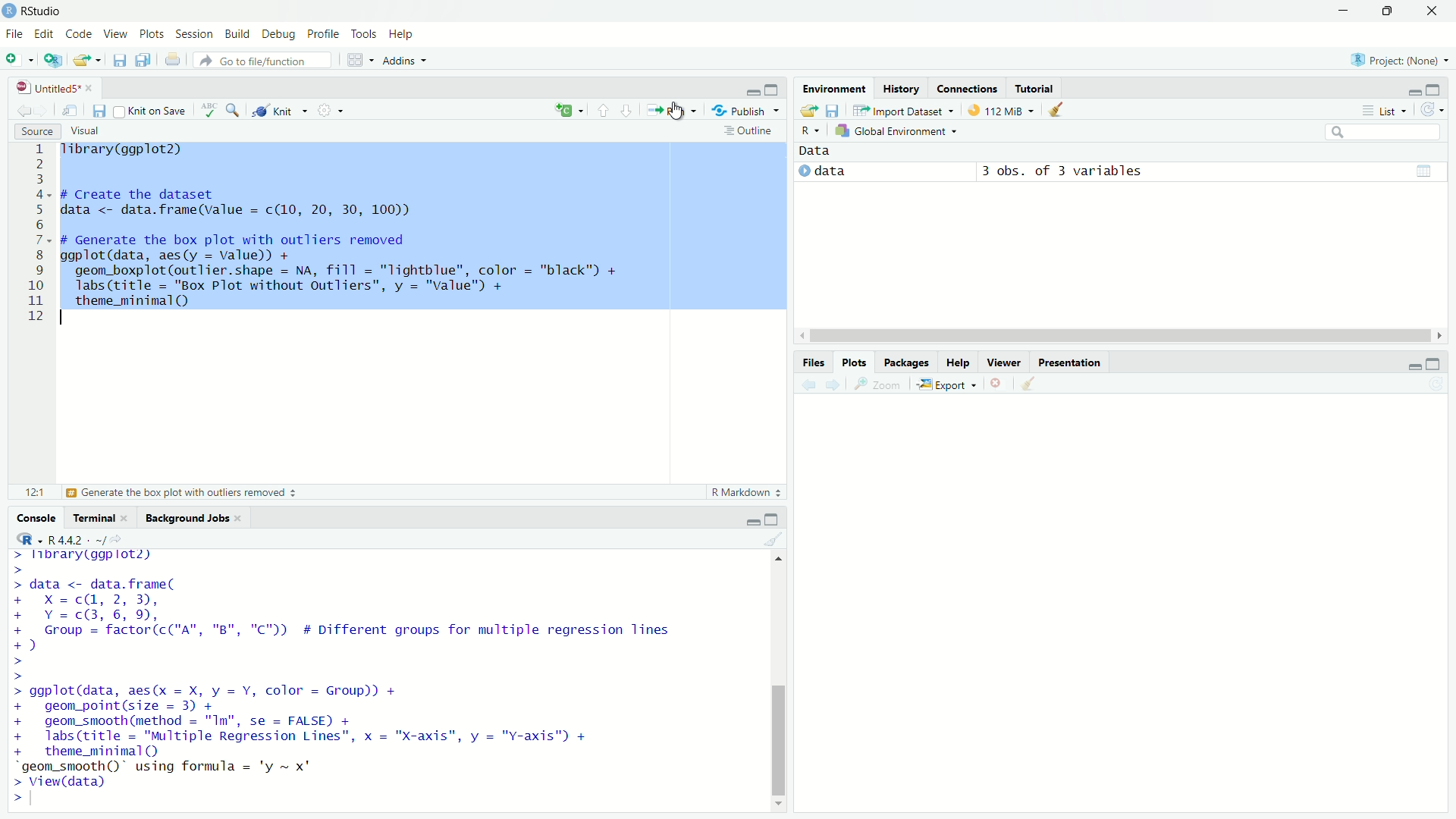 The width and height of the screenshot is (1456, 819). What do you see at coordinates (205, 108) in the screenshot?
I see `abc` at bounding box center [205, 108].